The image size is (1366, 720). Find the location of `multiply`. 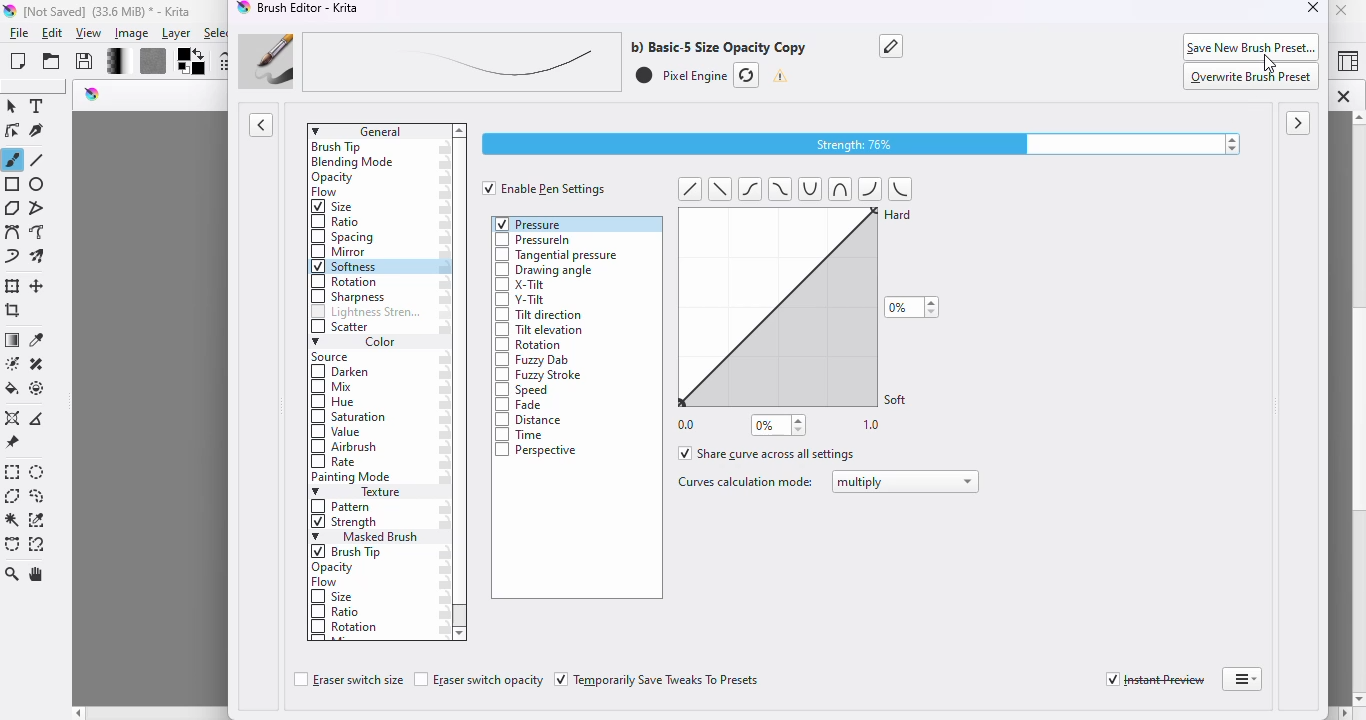

multiply is located at coordinates (906, 482).